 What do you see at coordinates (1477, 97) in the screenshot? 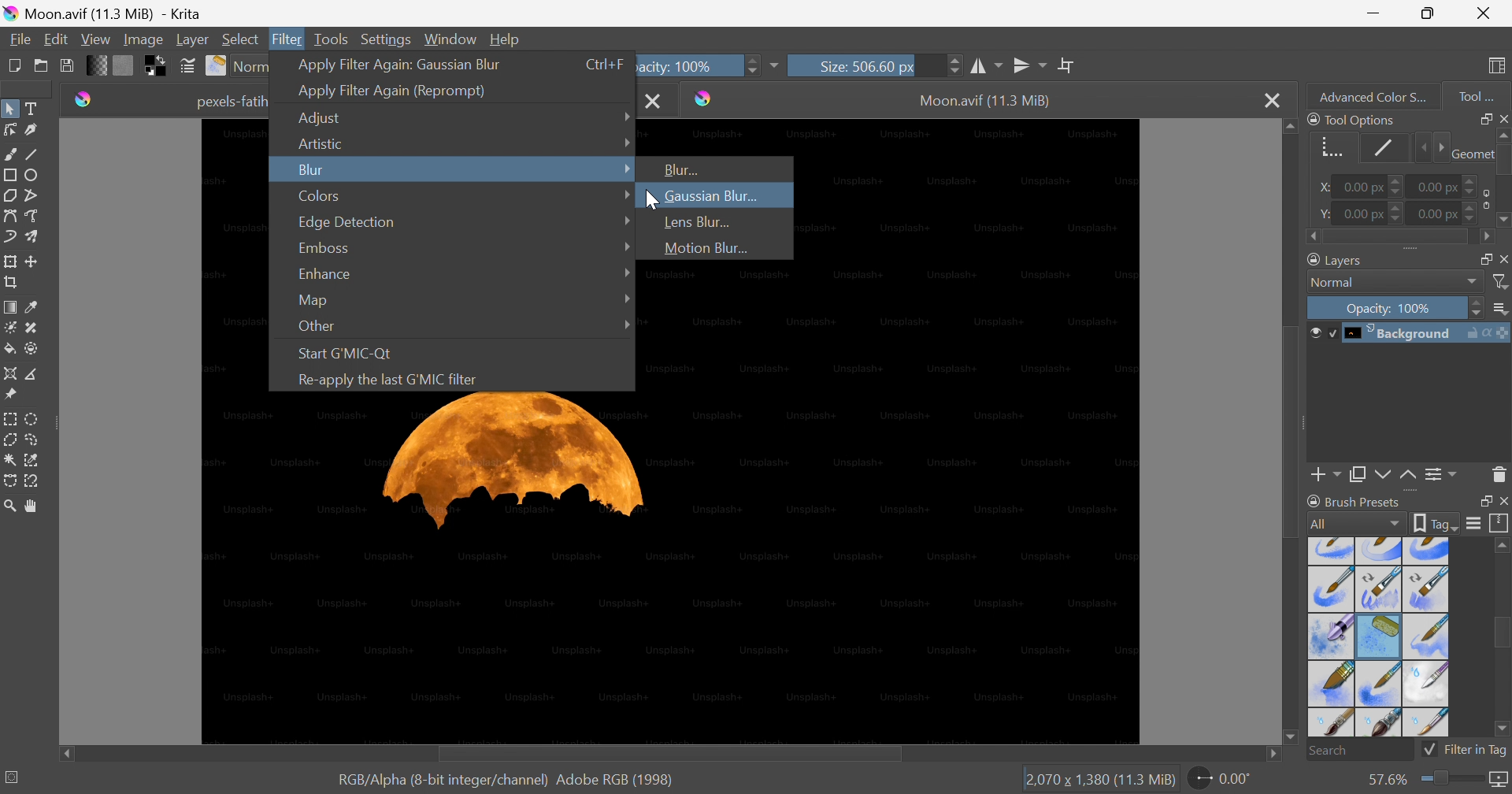
I see `Tool` at bounding box center [1477, 97].